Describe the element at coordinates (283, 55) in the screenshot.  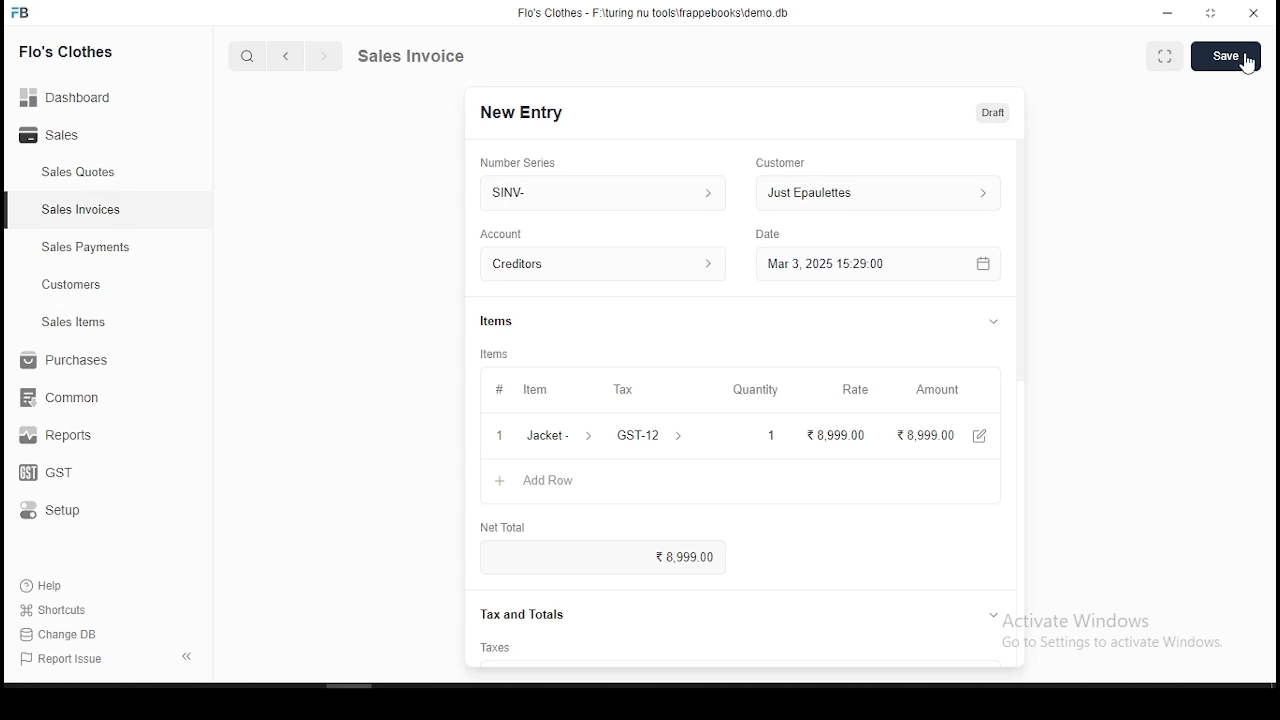
I see `back` at that location.